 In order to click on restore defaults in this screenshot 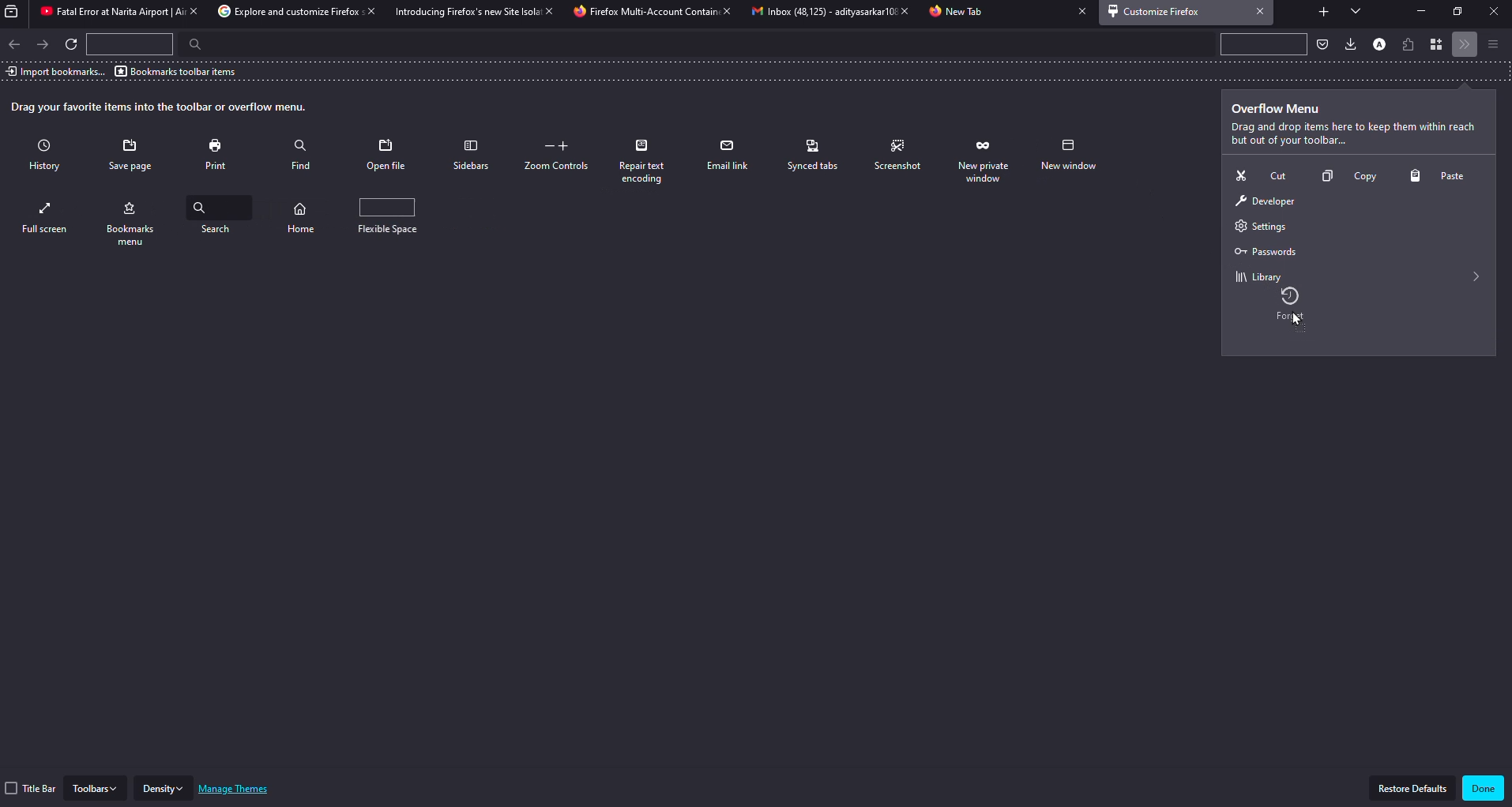, I will do `click(1413, 788)`.